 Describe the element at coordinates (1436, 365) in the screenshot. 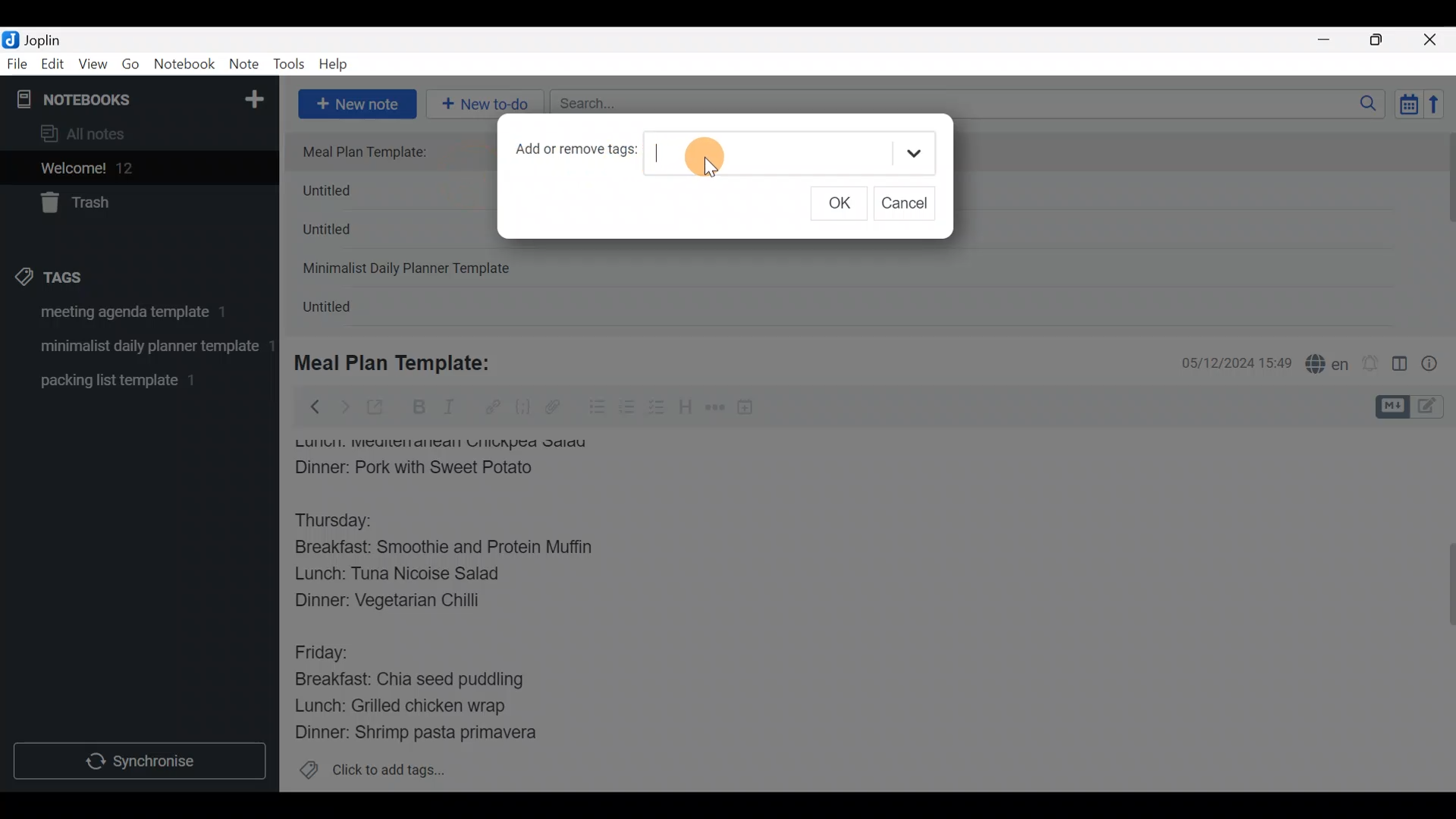

I see `Note properties` at that location.